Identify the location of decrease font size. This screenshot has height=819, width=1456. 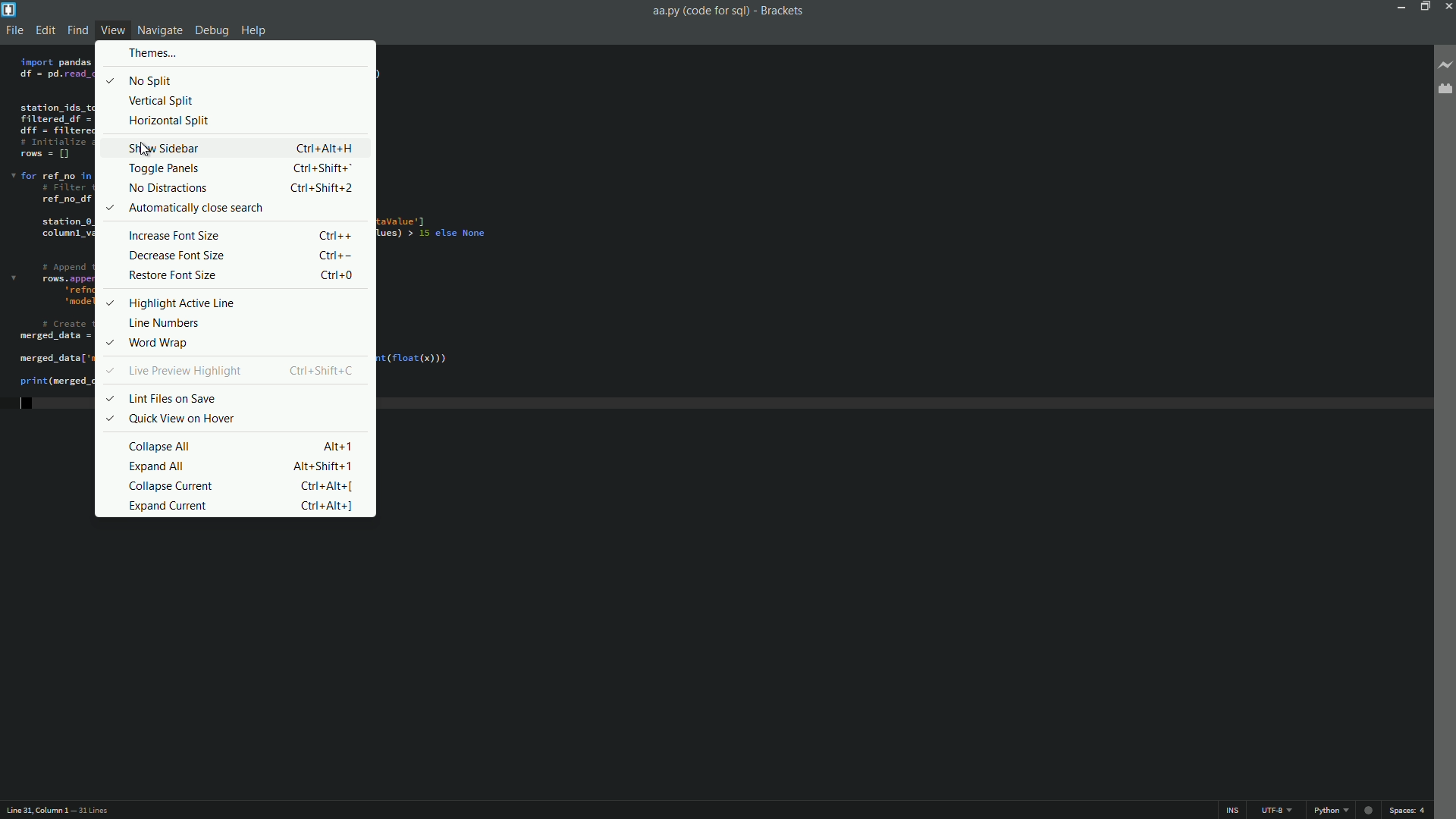
(240, 255).